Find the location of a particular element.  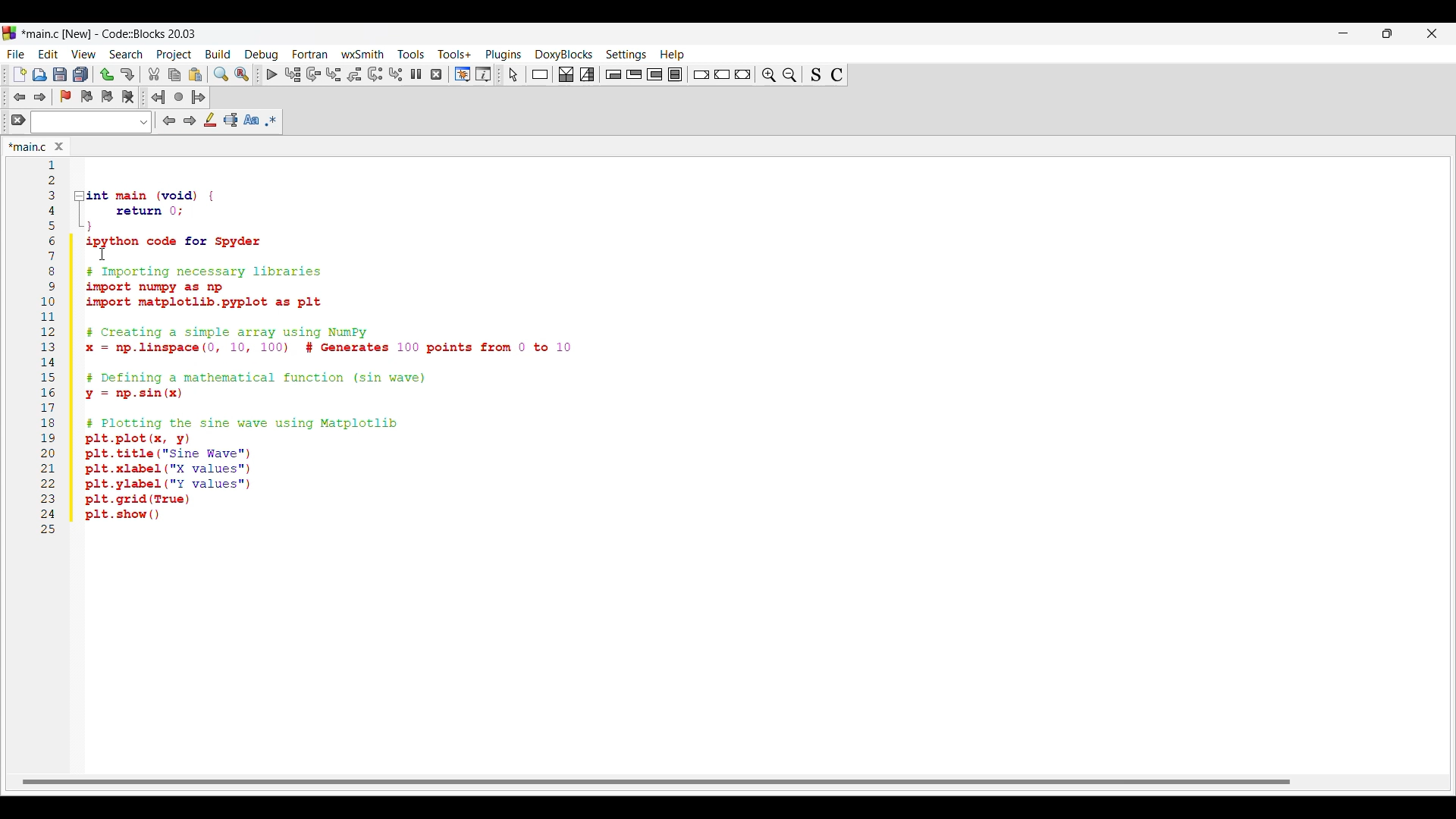

Fortran menu is located at coordinates (309, 54).